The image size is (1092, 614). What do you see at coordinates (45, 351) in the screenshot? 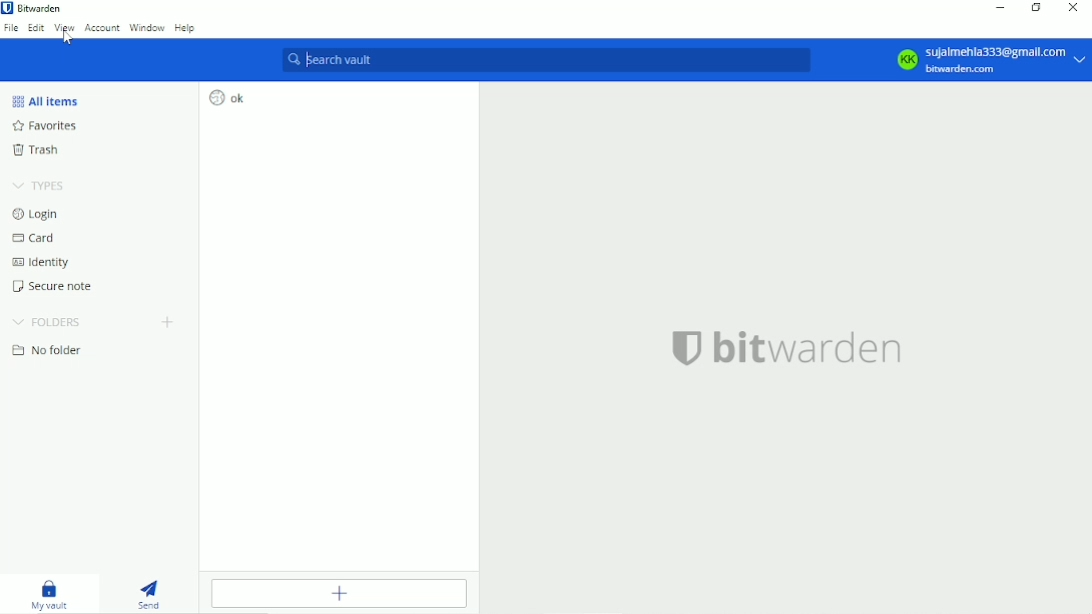
I see `No folder` at bounding box center [45, 351].